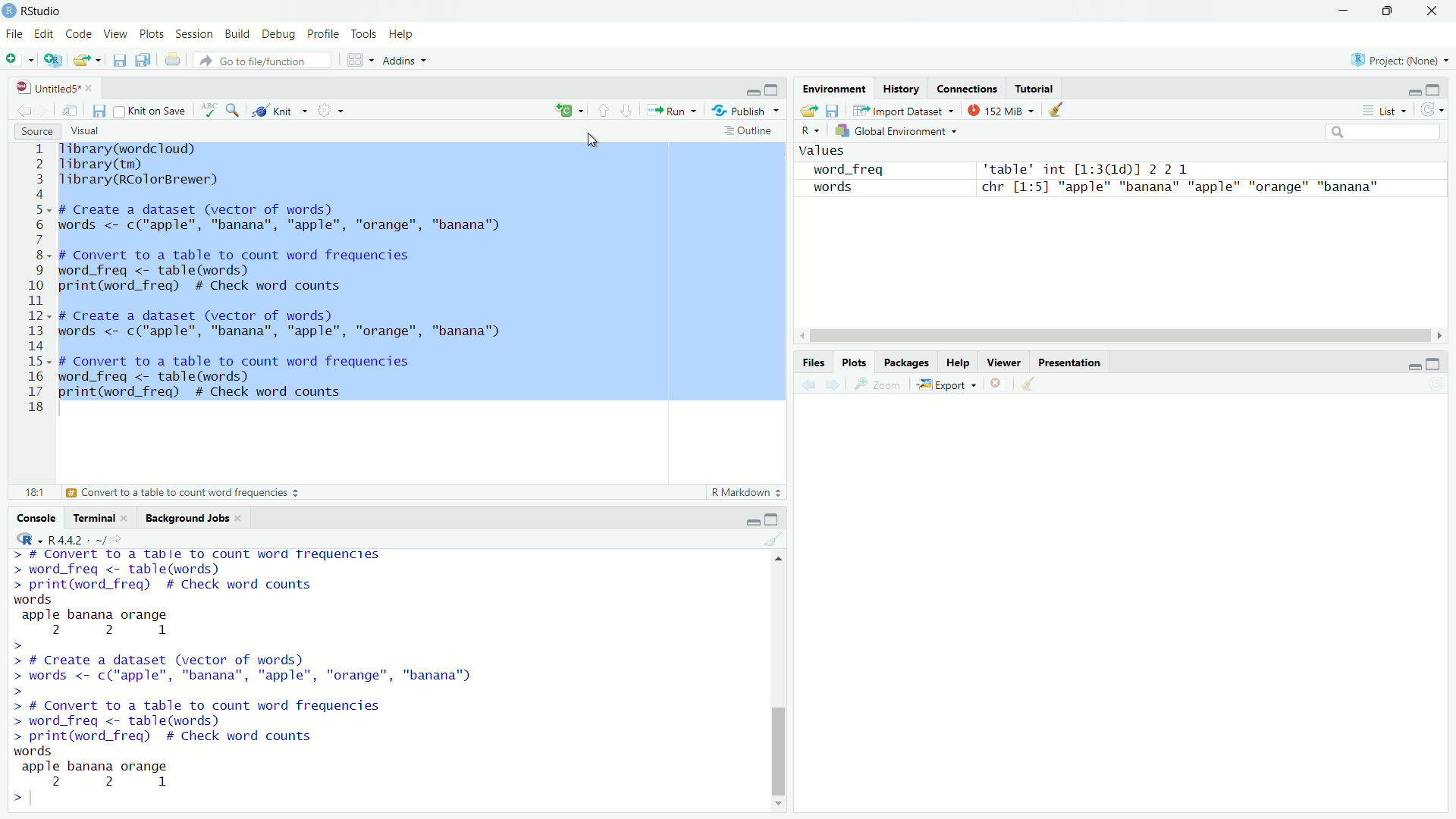 The image size is (1456, 819). I want to click on Go back to the previous Source location, so click(23, 111).